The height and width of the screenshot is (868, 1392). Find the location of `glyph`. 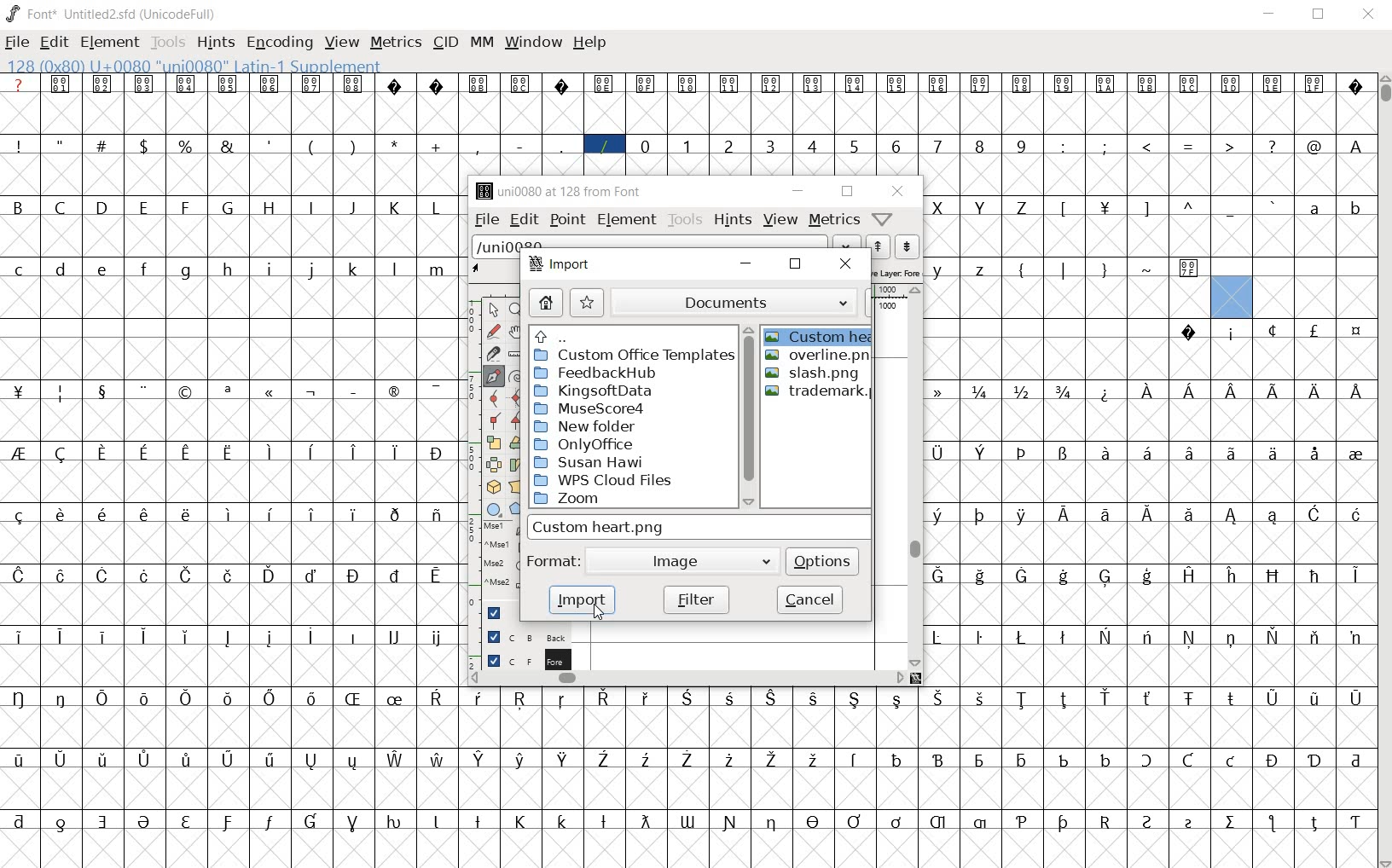

glyph is located at coordinates (270, 822).